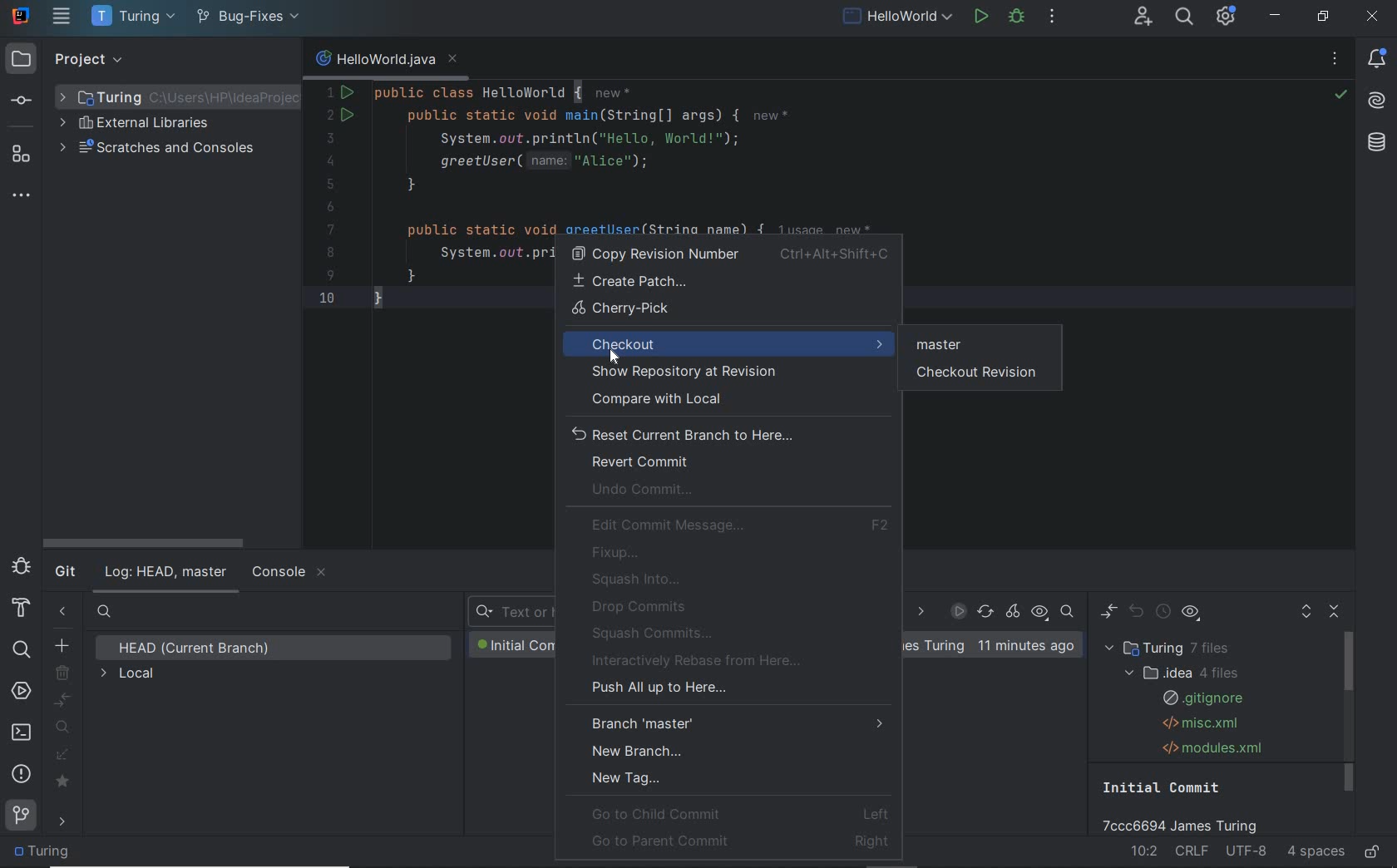 The image size is (1397, 868). I want to click on file name, so click(386, 62).